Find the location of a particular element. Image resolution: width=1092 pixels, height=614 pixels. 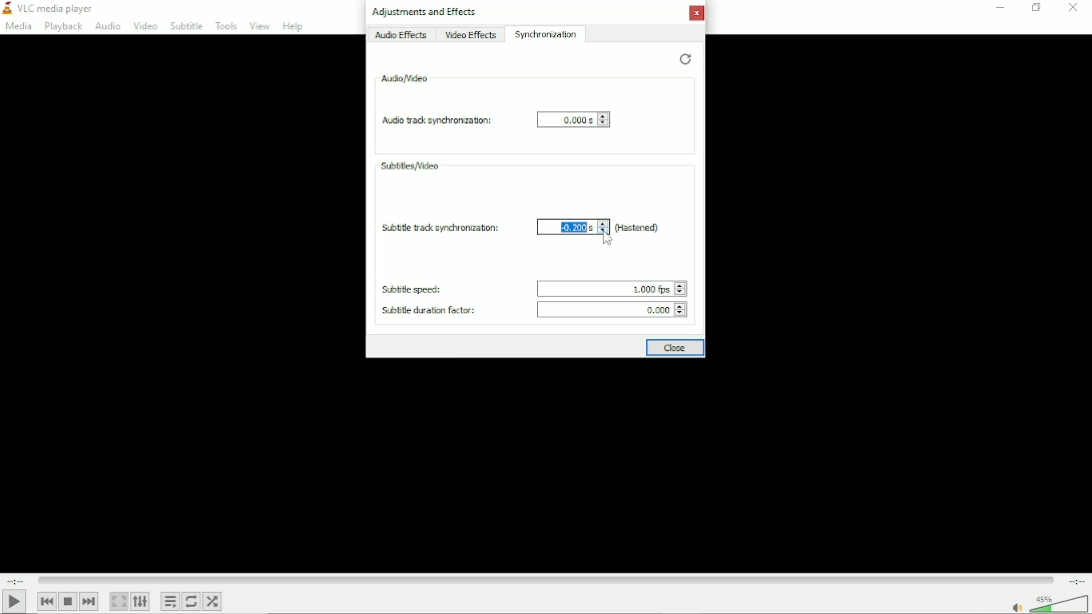

Toggle video in fullscreen is located at coordinates (119, 601).